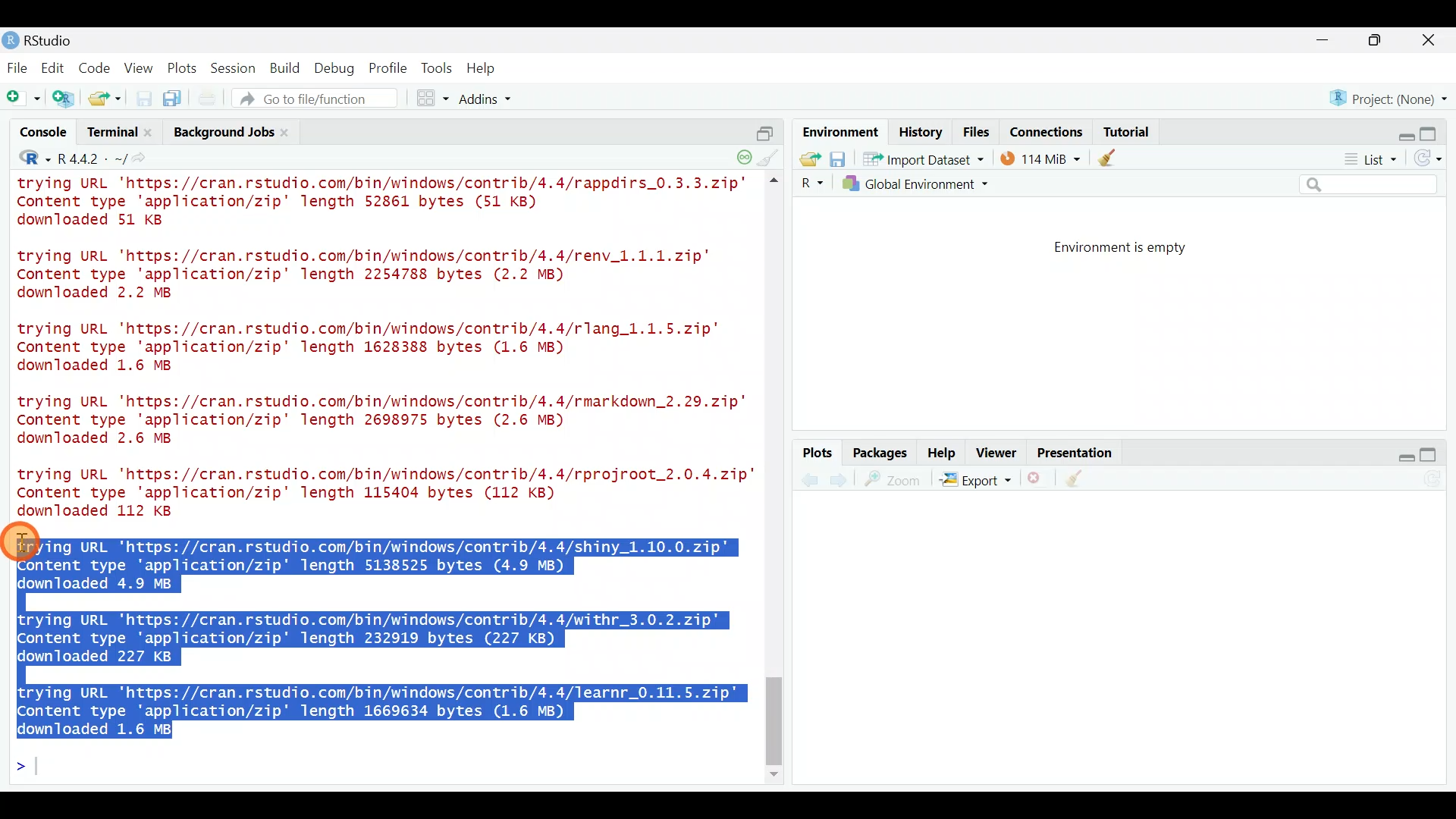  Describe the element at coordinates (17, 67) in the screenshot. I see `File` at that location.